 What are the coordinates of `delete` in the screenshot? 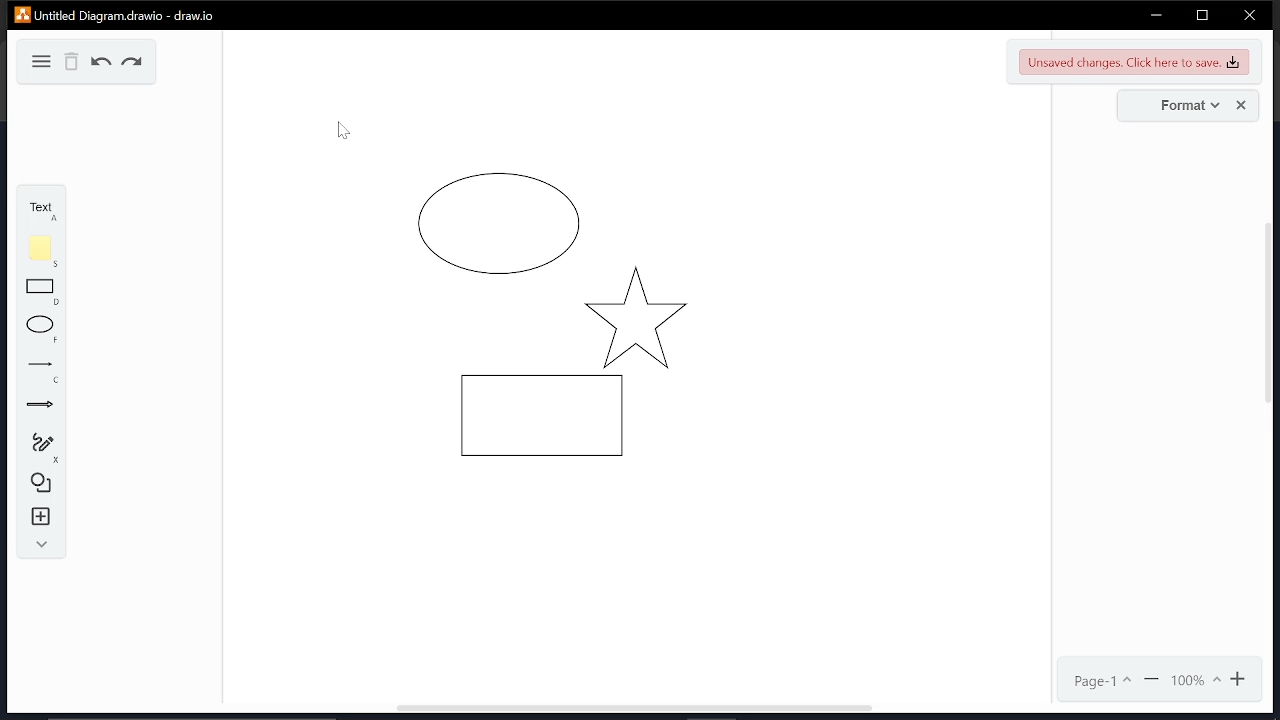 It's located at (73, 62).